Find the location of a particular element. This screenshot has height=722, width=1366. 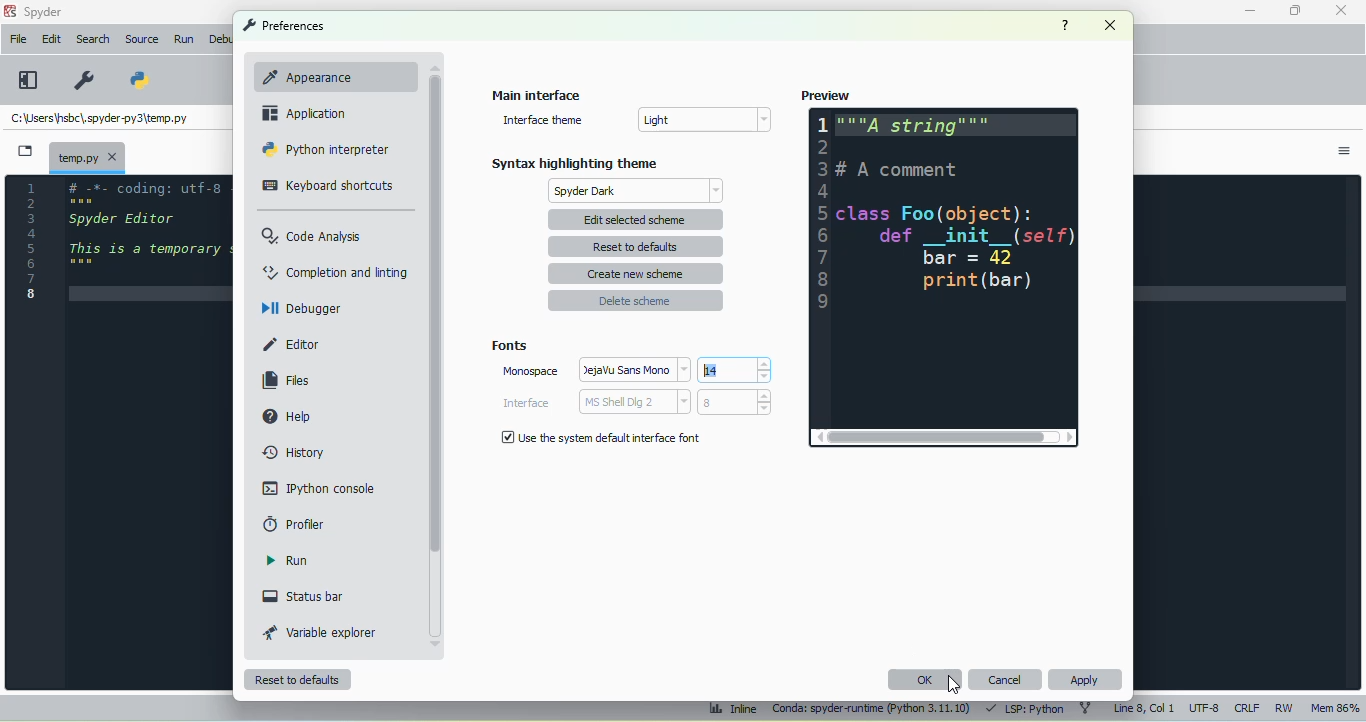

preview box is located at coordinates (943, 268).